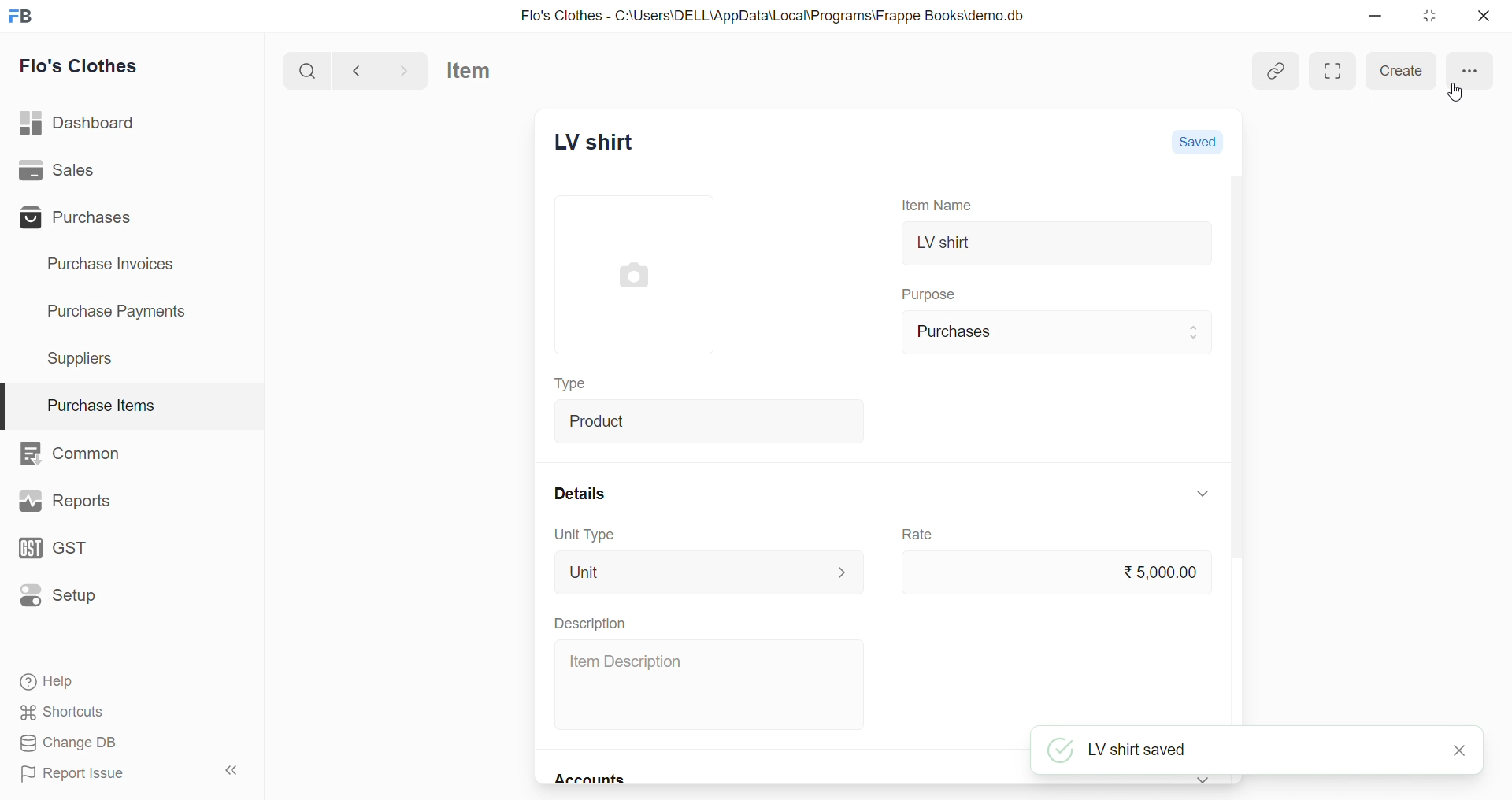  I want to click on navigate forward, so click(406, 70).